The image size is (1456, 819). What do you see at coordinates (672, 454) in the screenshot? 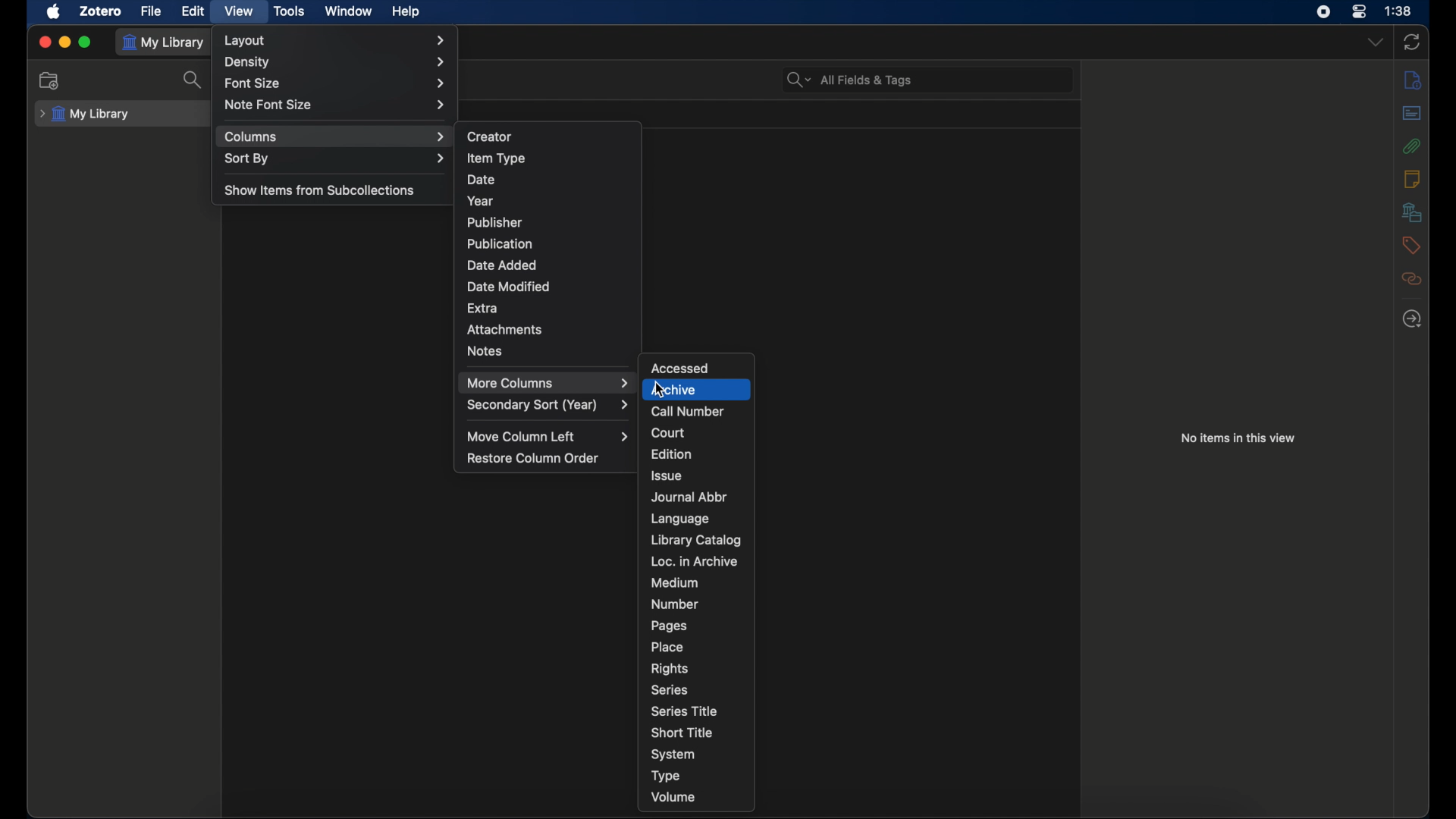
I see `edition` at bounding box center [672, 454].